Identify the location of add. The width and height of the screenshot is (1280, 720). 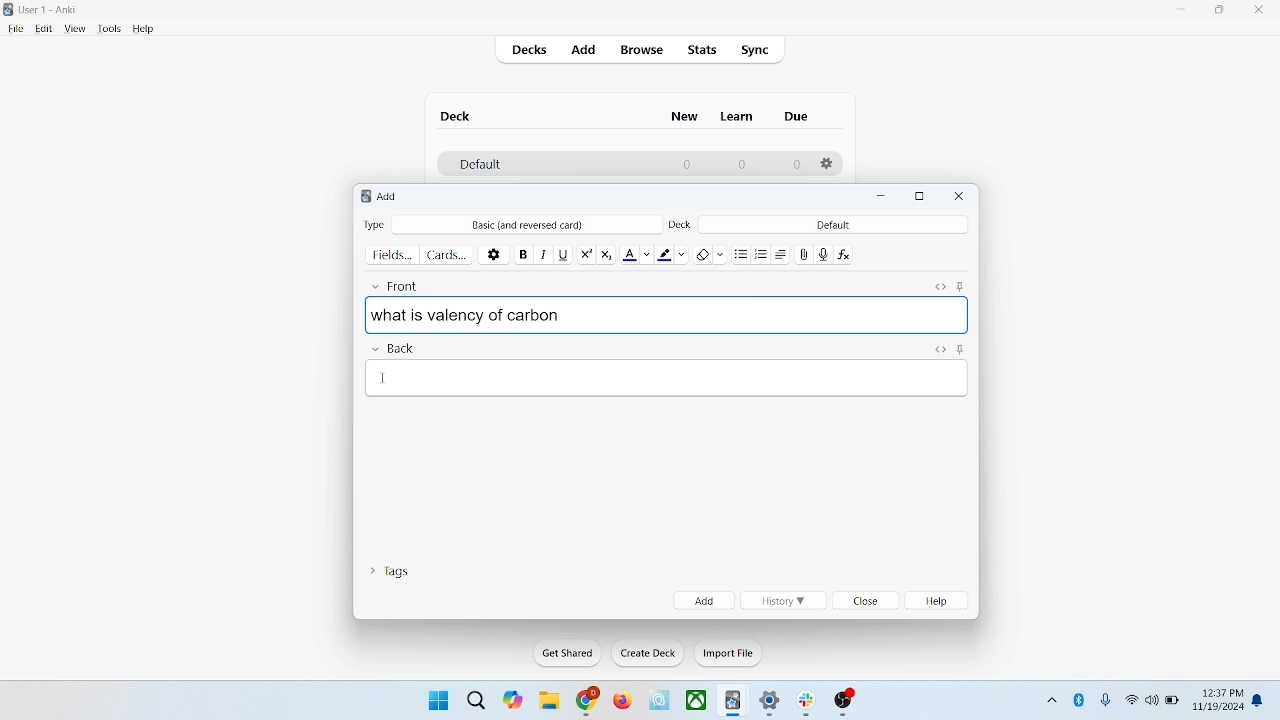
(704, 600).